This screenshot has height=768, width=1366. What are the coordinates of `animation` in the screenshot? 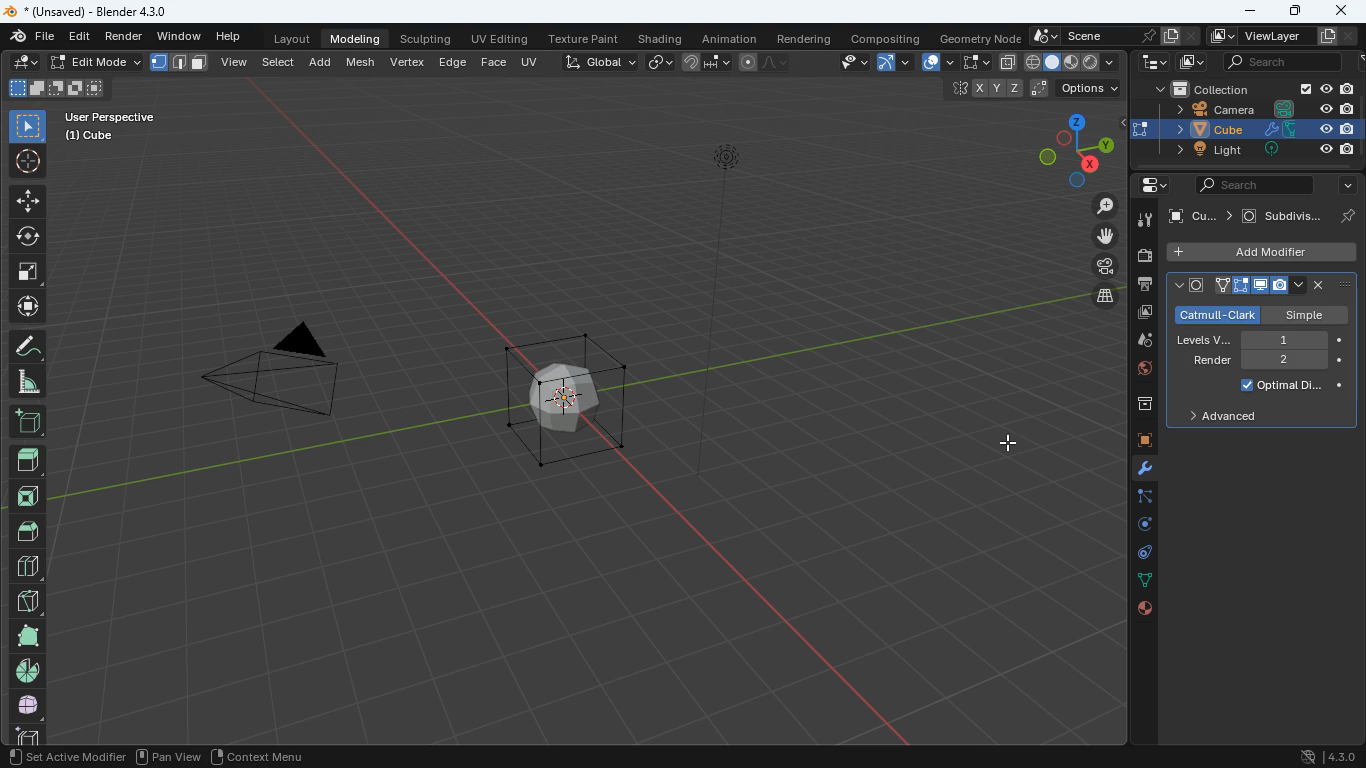 It's located at (730, 37).